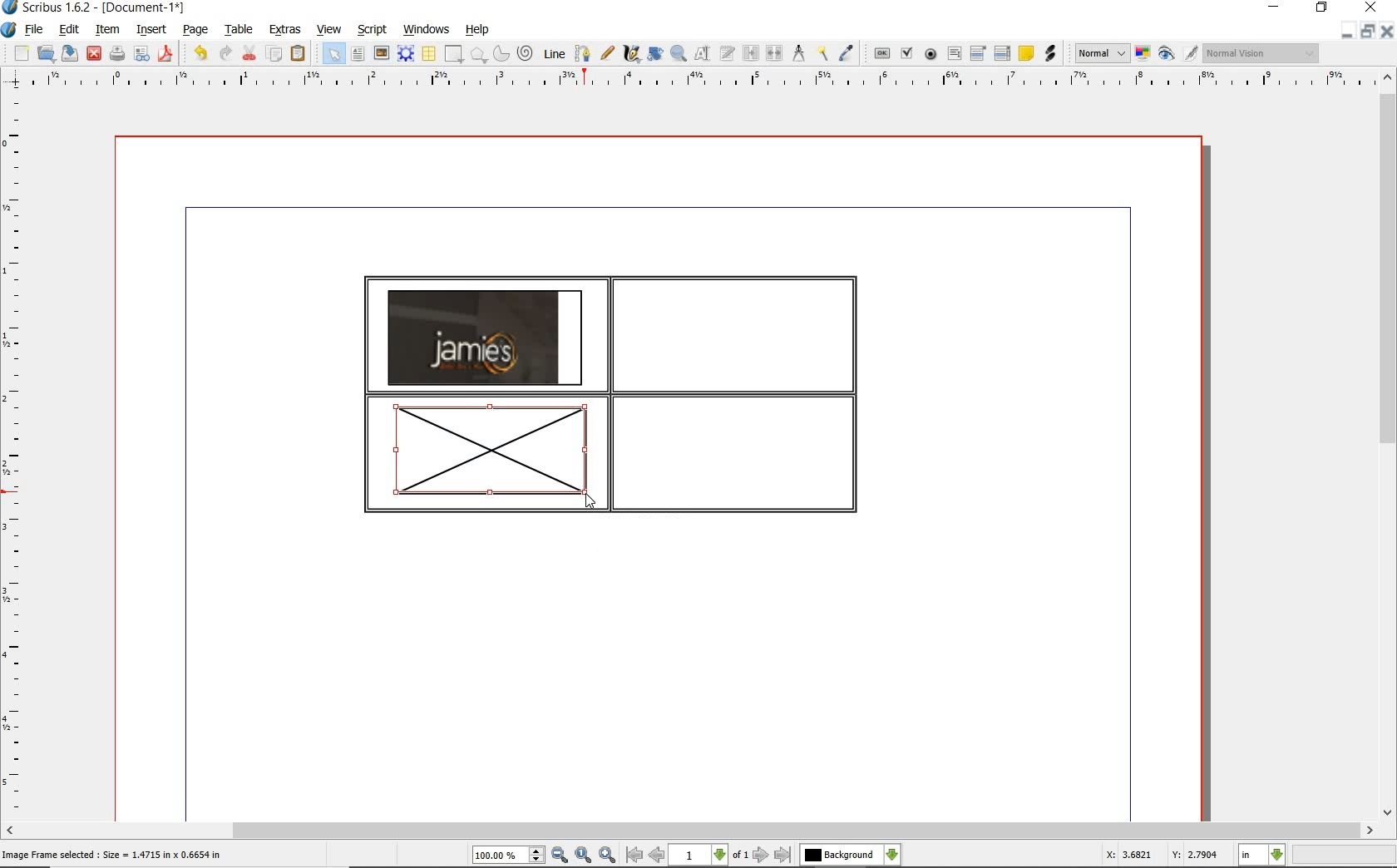 This screenshot has width=1397, height=868. What do you see at coordinates (1027, 54) in the screenshot?
I see `text annotation` at bounding box center [1027, 54].